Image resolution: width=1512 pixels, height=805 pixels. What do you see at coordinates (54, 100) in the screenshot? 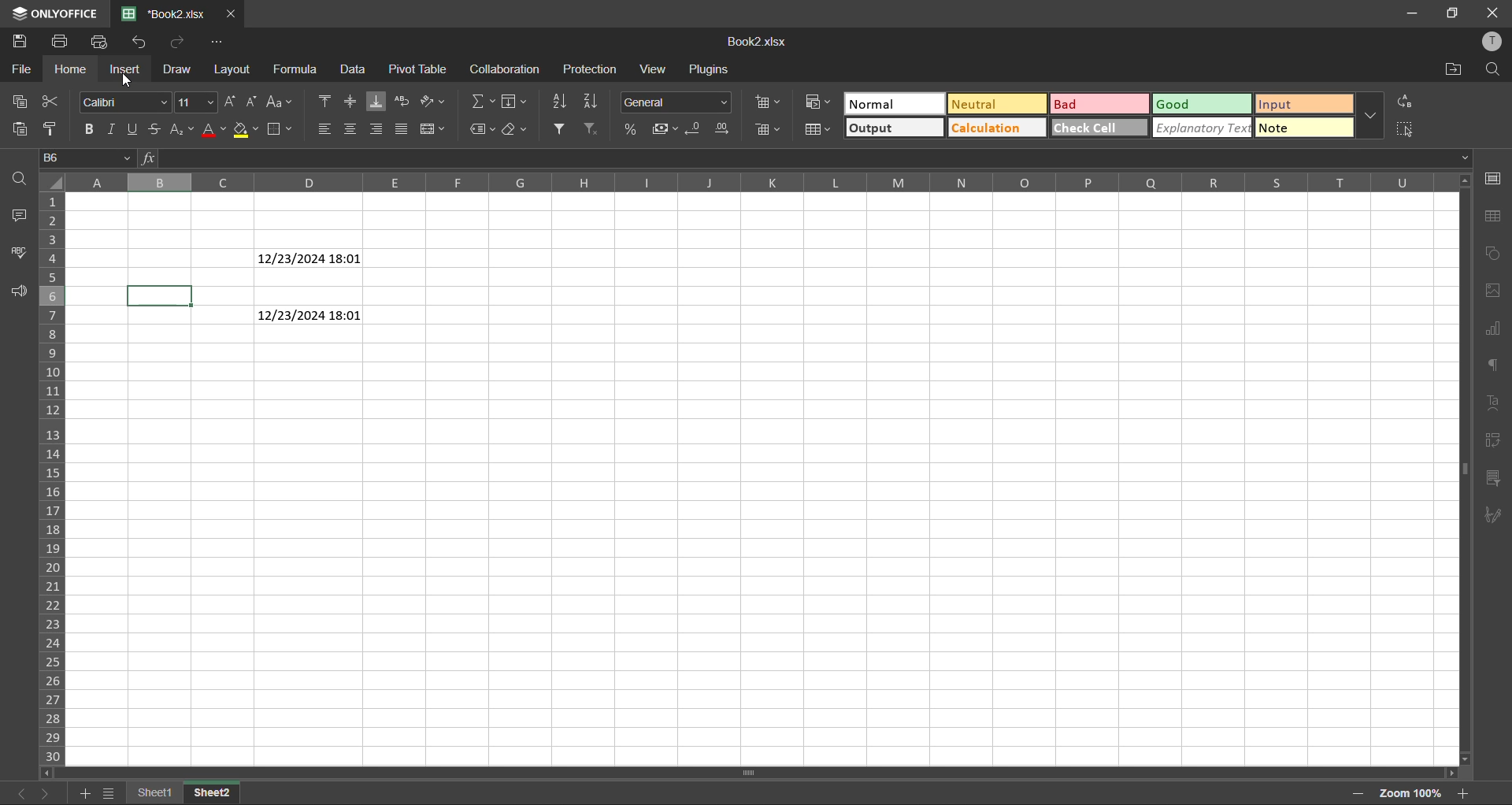
I see `cut` at bounding box center [54, 100].